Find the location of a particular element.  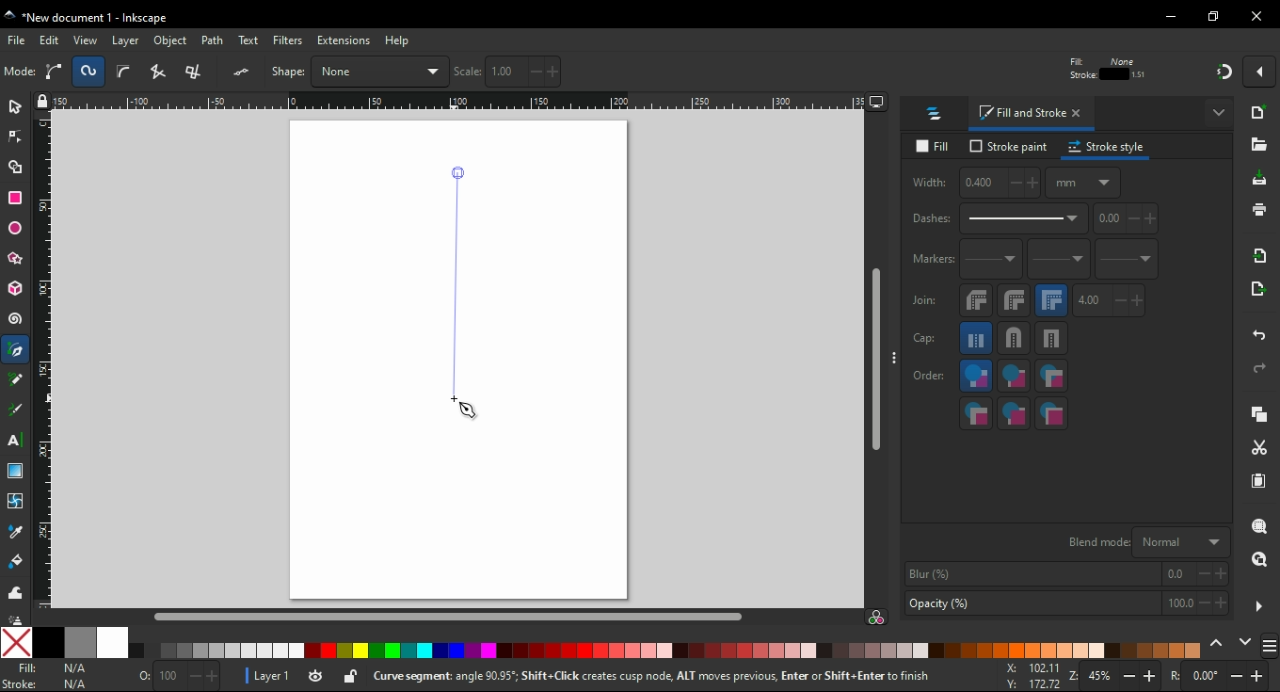

object rotate 90 CCW is located at coordinates (167, 72).